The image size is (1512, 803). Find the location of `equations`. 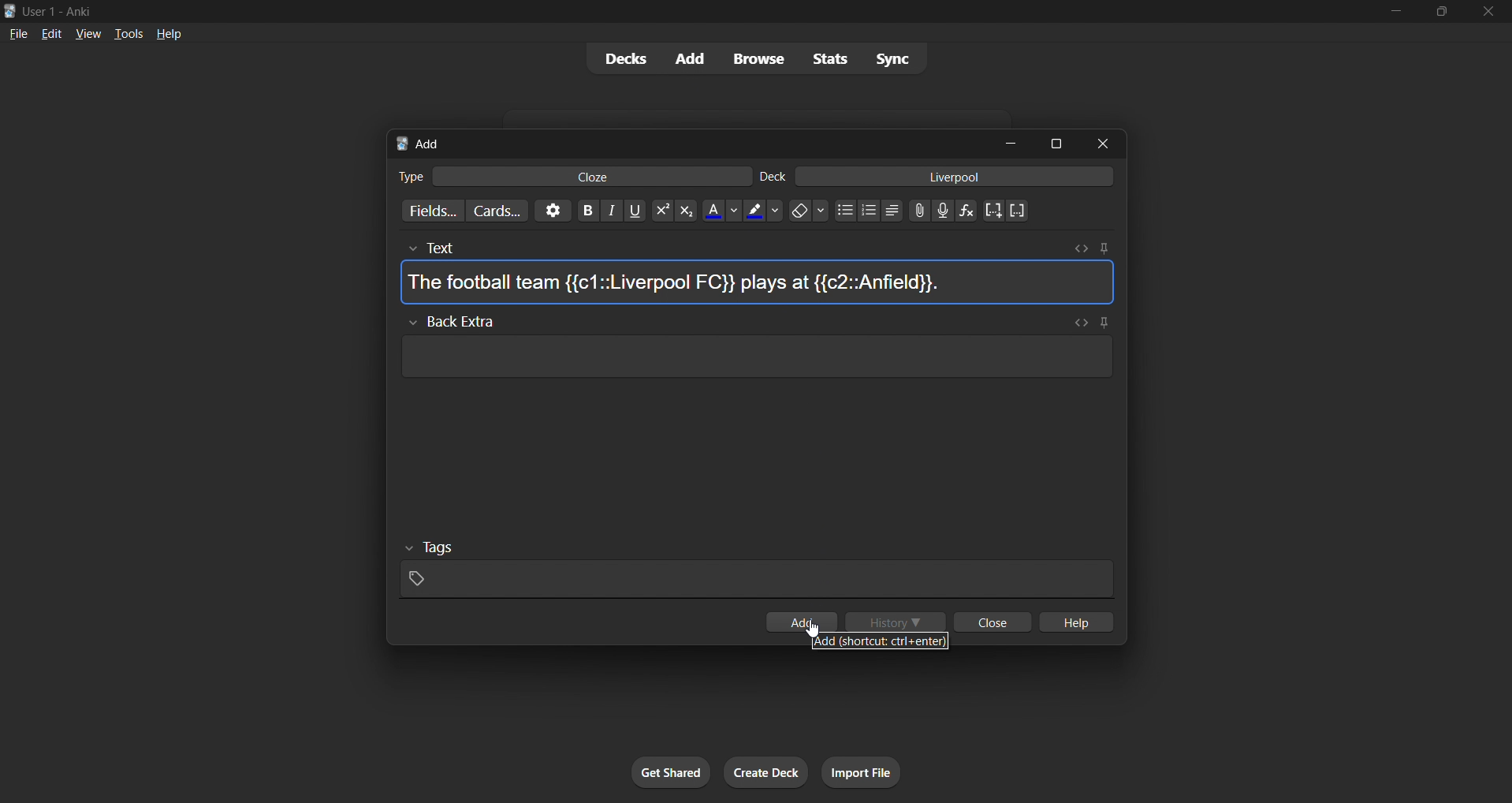

equations is located at coordinates (964, 213).